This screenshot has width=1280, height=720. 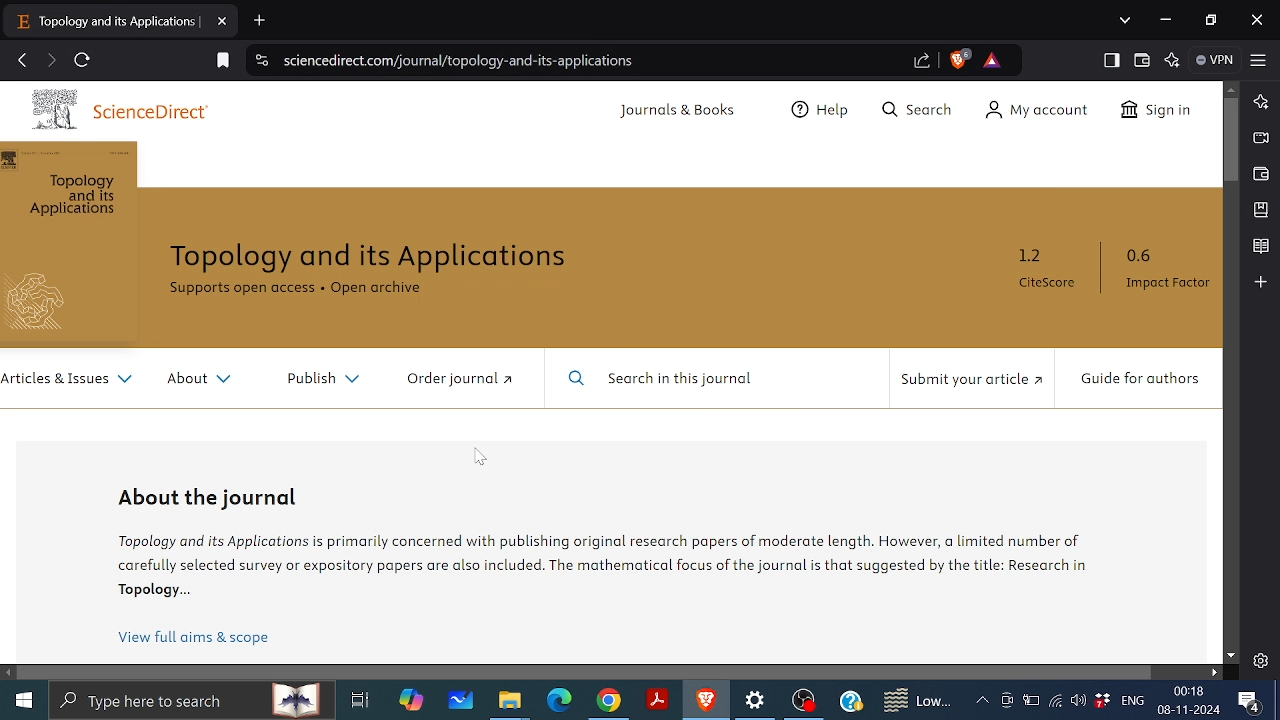 I want to click on Notifications, so click(x=1250, y=701).